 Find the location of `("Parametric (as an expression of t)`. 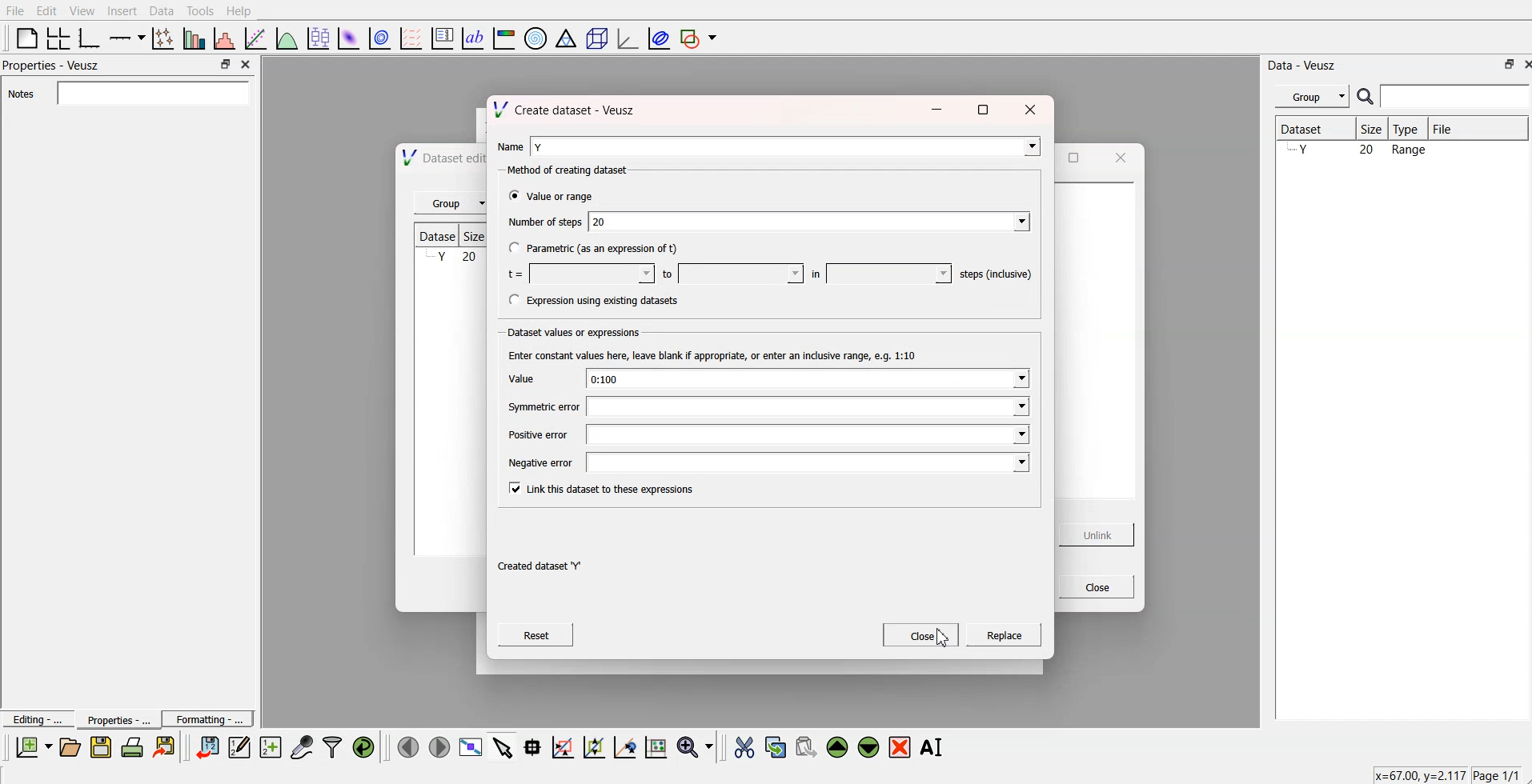

("Parametric (as an expression of t) is located at coordinates (593, 250).